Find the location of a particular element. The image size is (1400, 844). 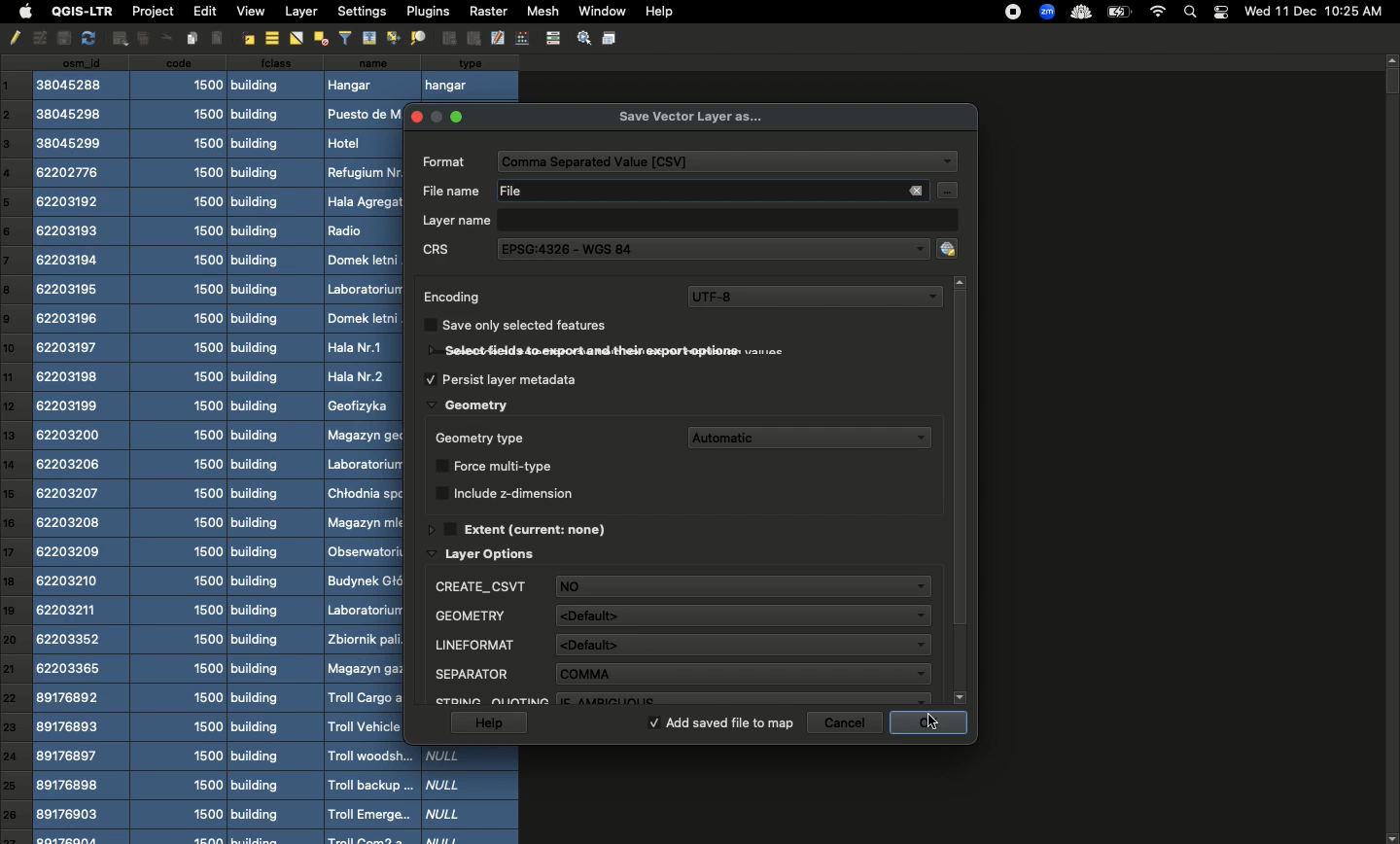

Search is located at coordinates (1192, 11).